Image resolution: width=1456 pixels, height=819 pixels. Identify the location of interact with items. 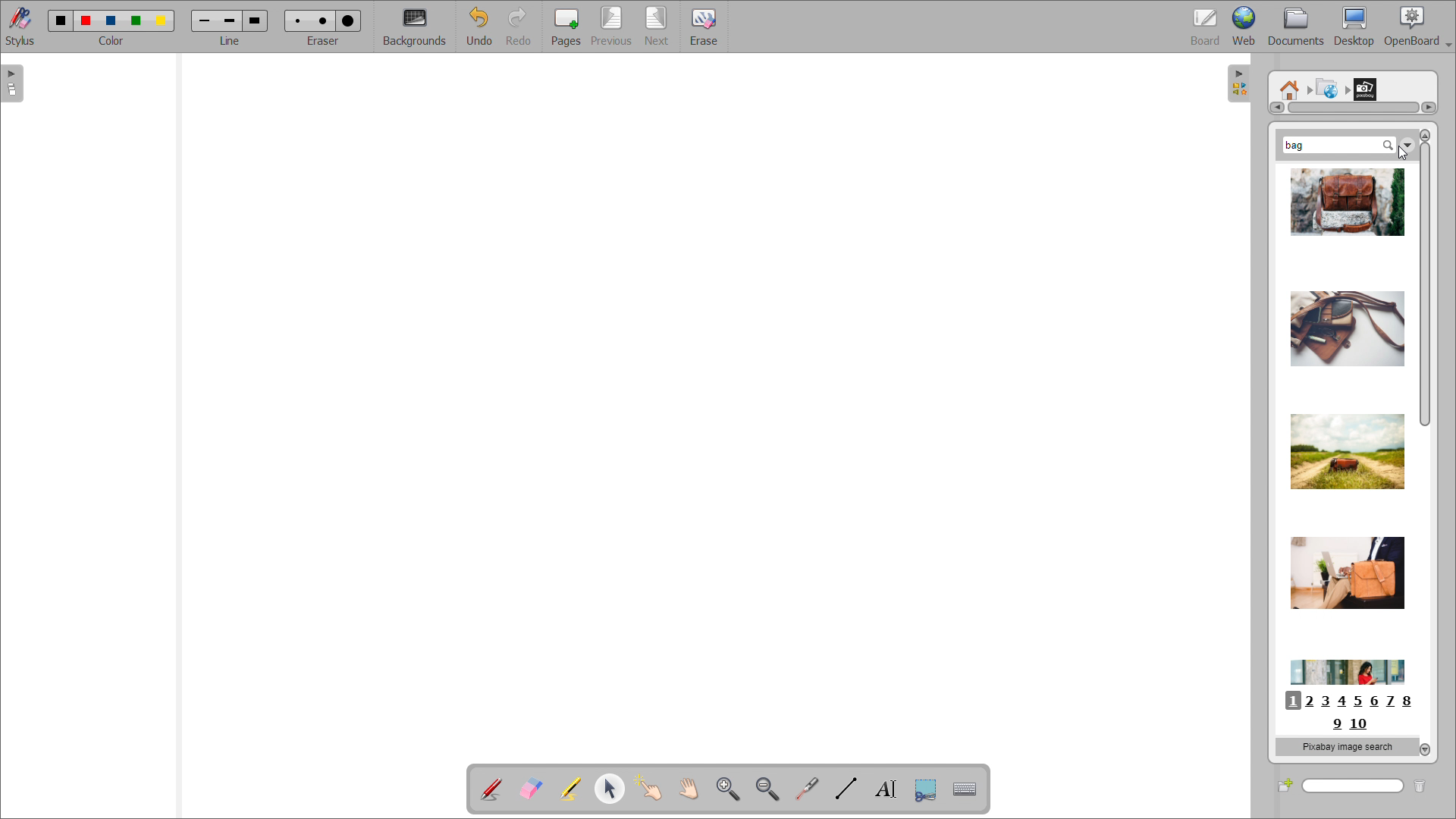
(649, 788).